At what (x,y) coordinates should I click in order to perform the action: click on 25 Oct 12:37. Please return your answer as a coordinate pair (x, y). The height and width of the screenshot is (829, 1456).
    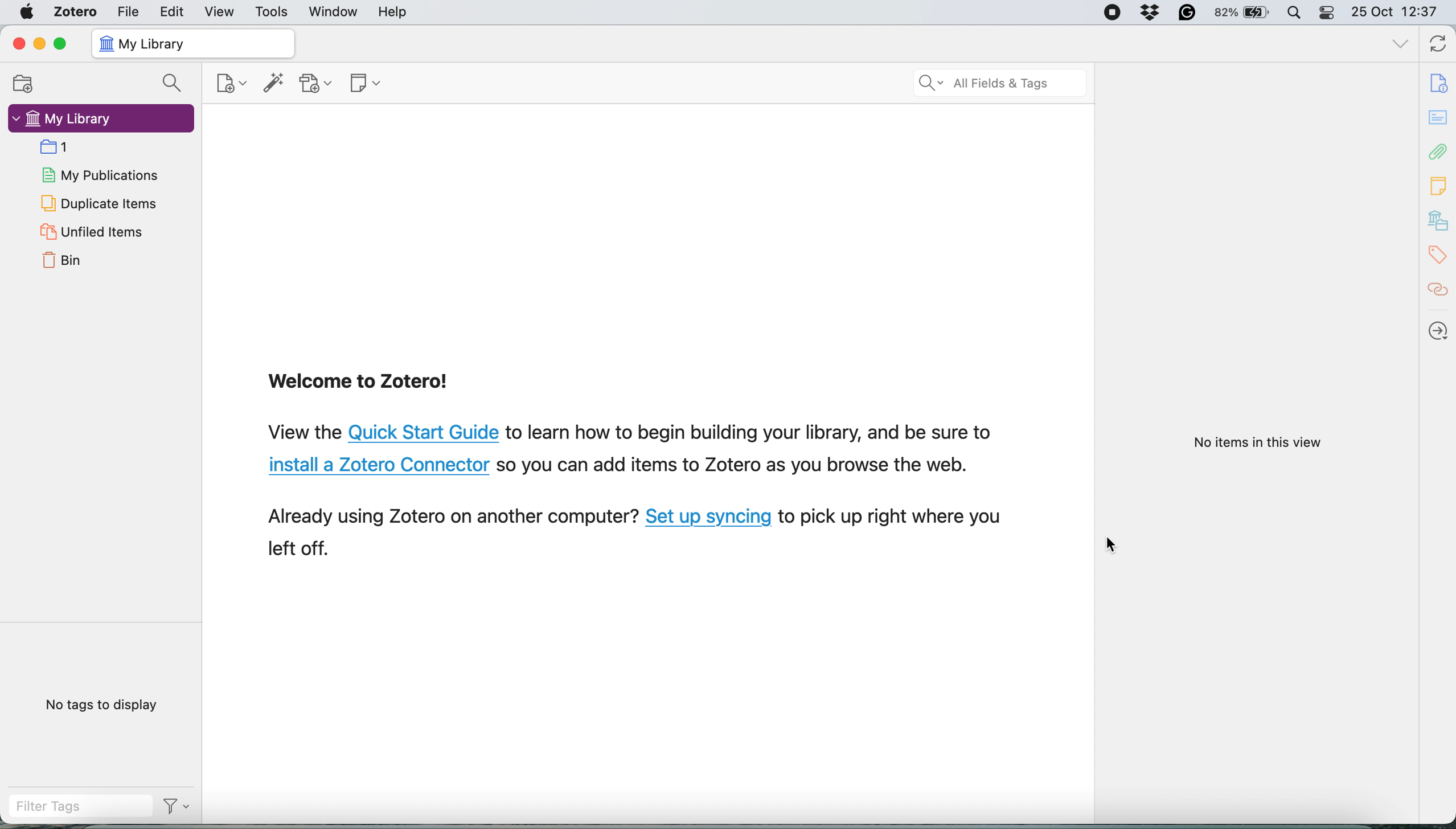
    Looking at the image, I should click on (1397, 13).